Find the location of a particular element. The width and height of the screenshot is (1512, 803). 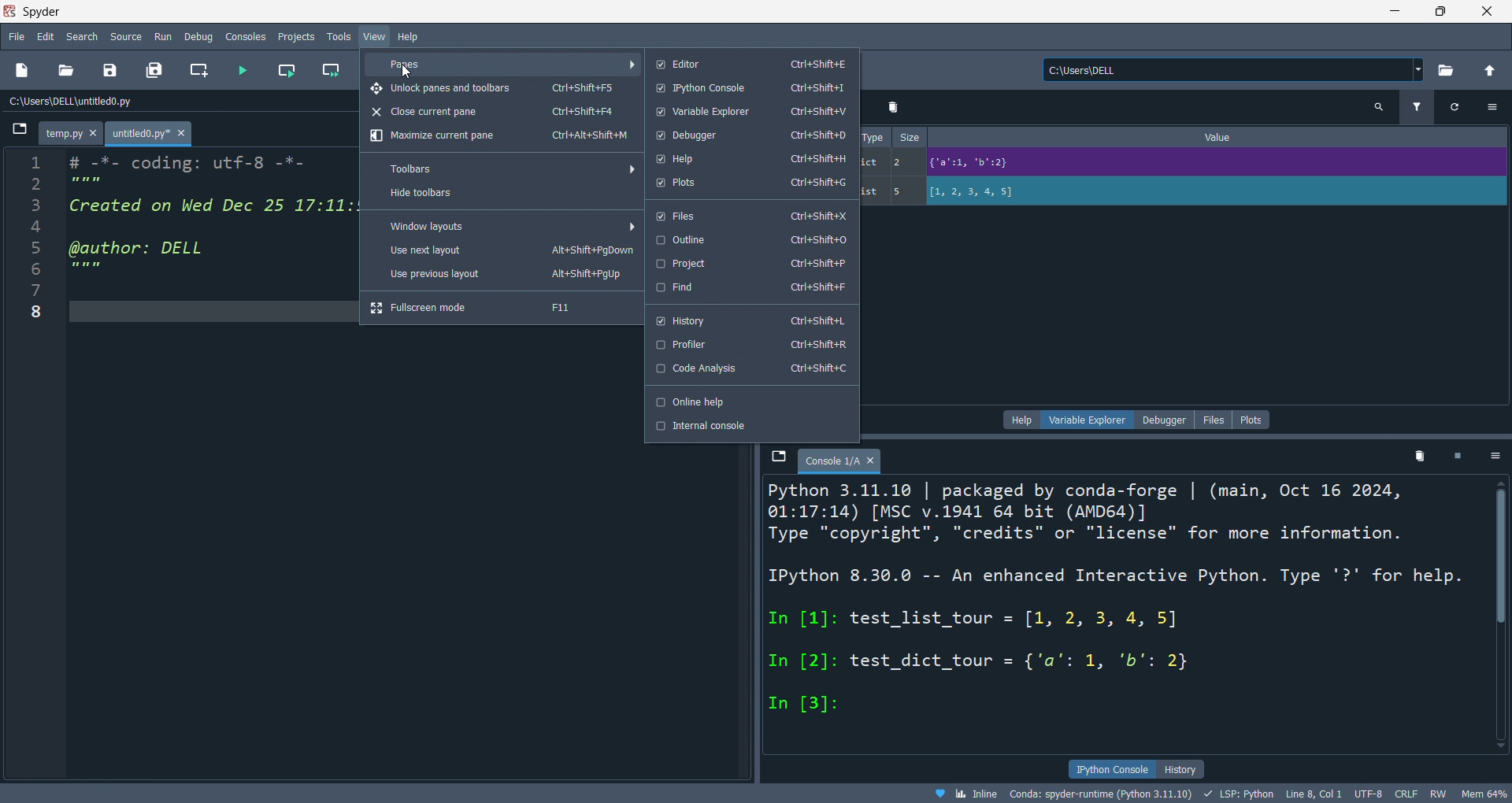

variable explorer is located at coordinates (748, 112).